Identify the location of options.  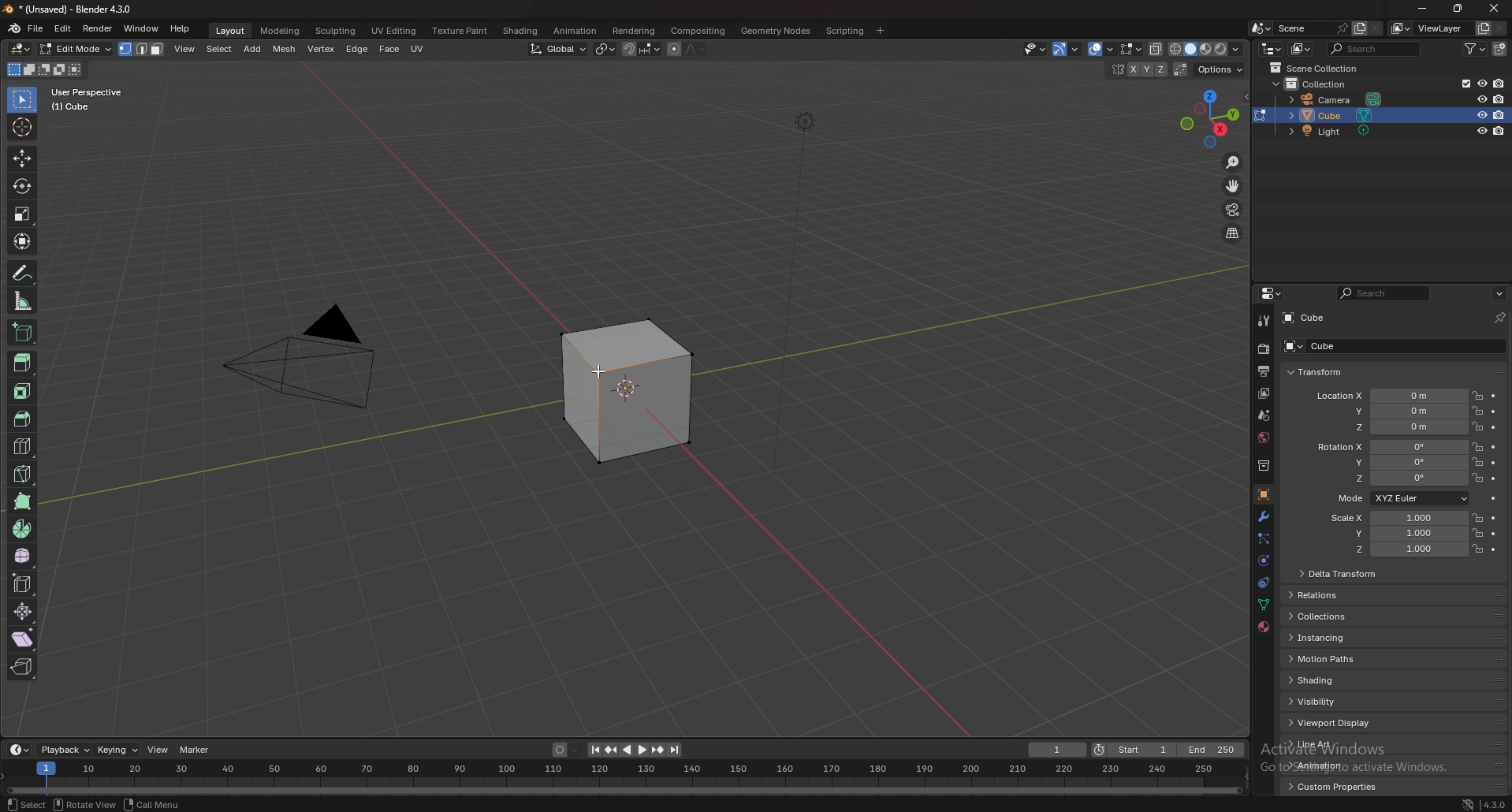
(1499, 293).